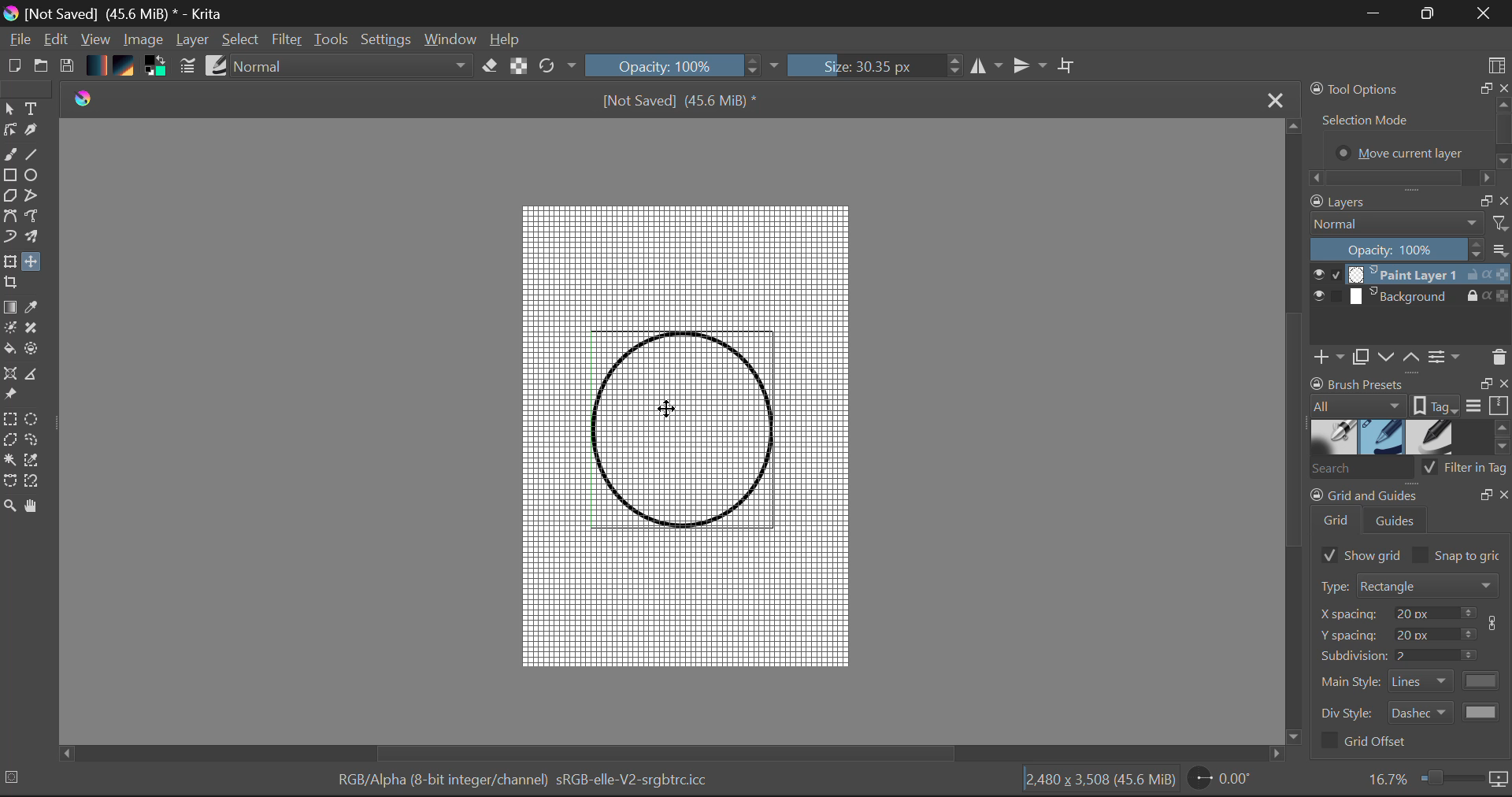 Image resolution: width=1512 pixels, height=797 pixels. Describe the element at coordinates (187, 67) in the screenshot. I see `Brush Settings` at that location.